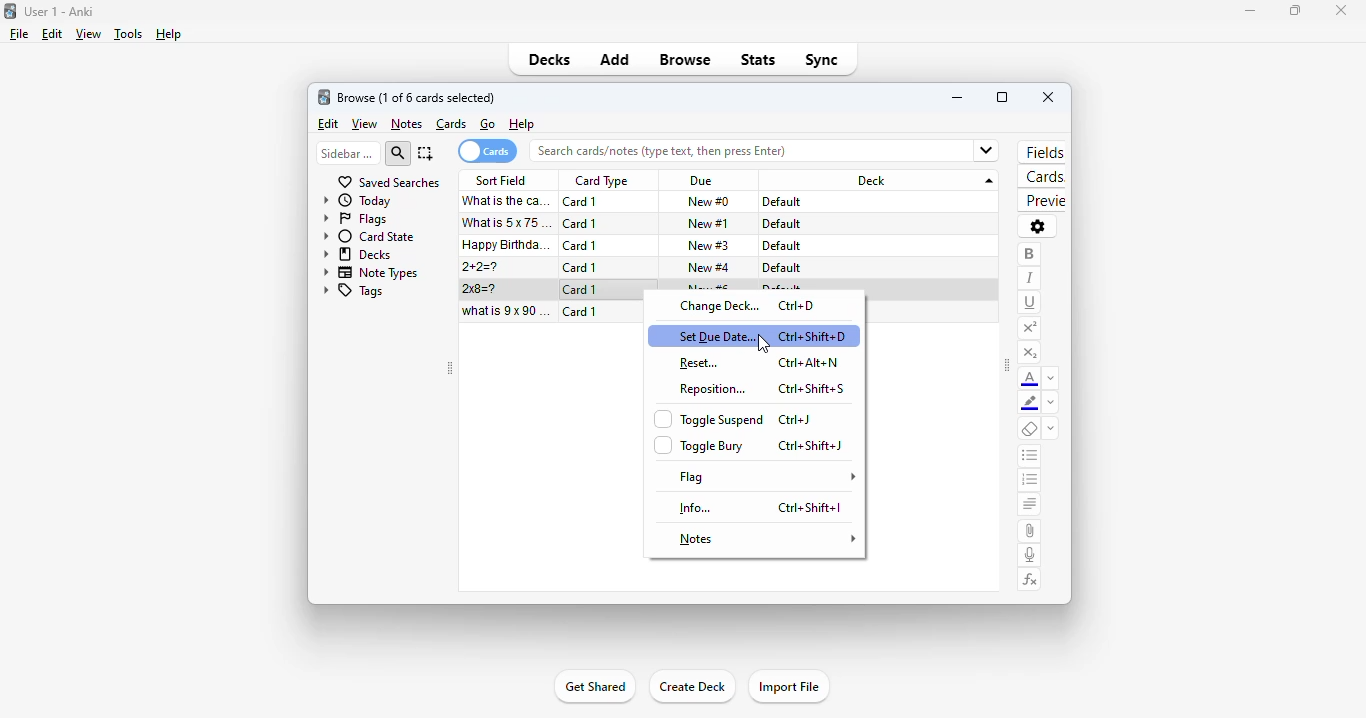 The height and width of the screenshot is (718, 1366). I want to click on Ctrl+J, so click(795, 419).